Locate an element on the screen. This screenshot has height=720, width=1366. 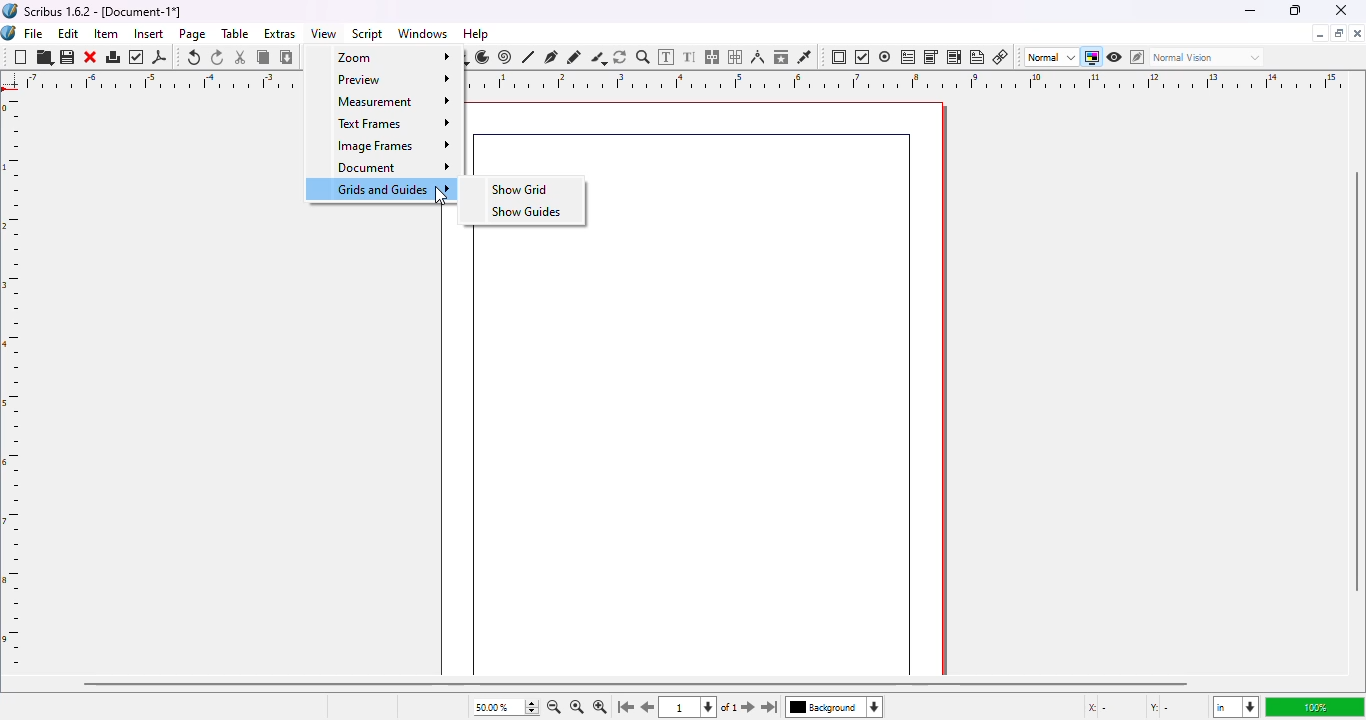
redo is located at coordinates (218, 58).